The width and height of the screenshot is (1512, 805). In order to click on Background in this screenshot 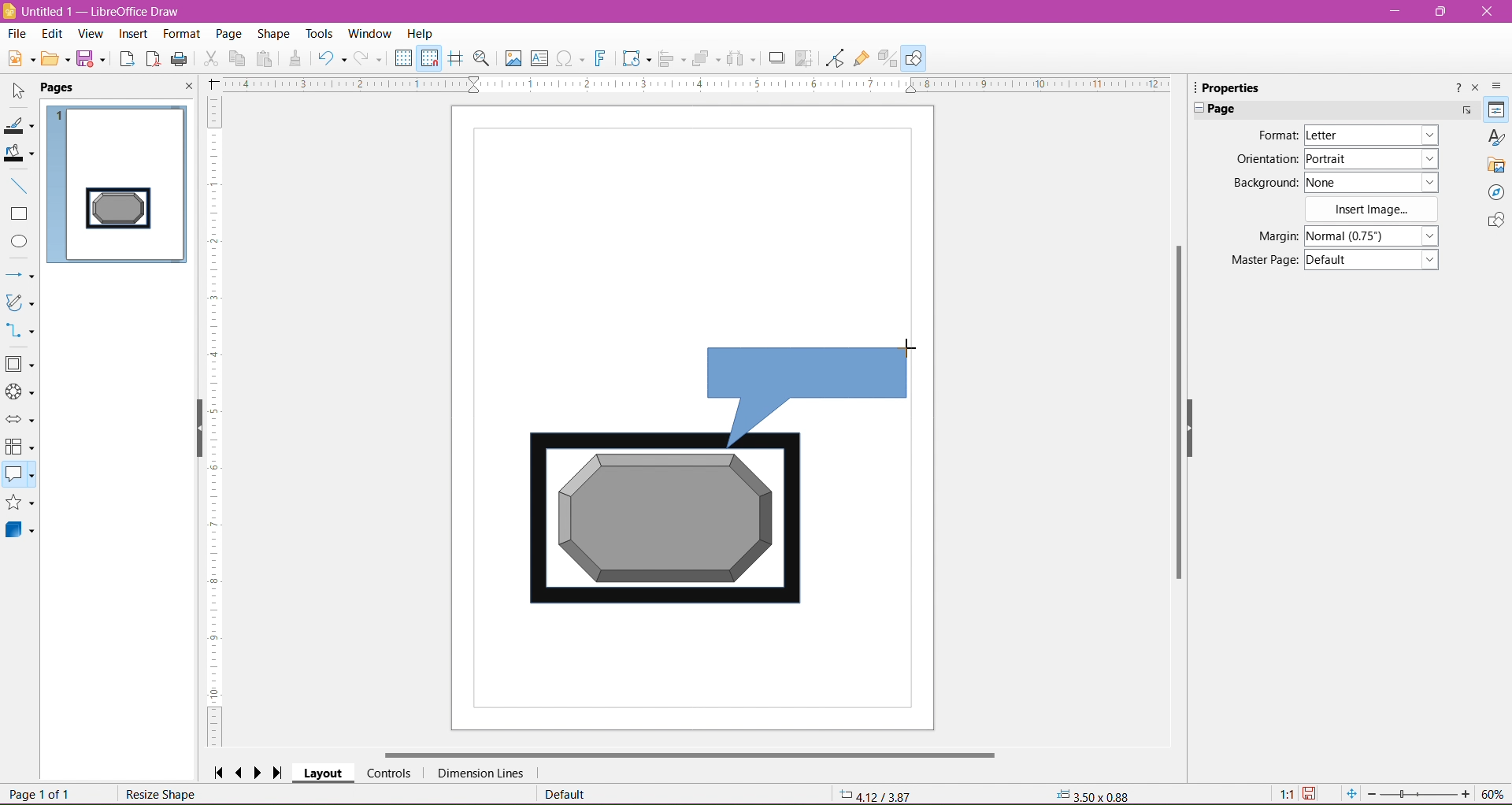, I will do `click(1262, 183)`.